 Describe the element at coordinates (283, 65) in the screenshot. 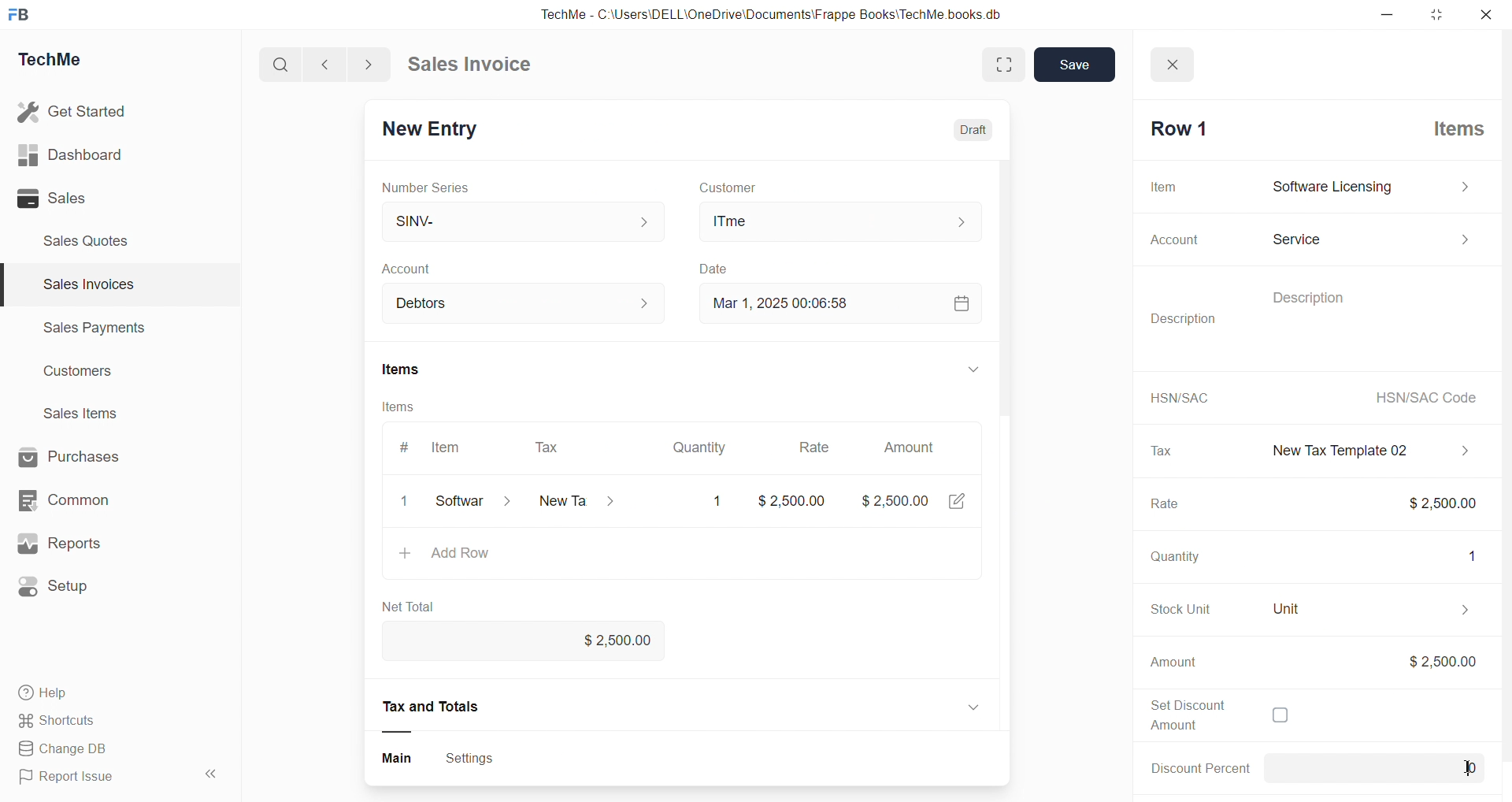

I see `Search buton` at that location.